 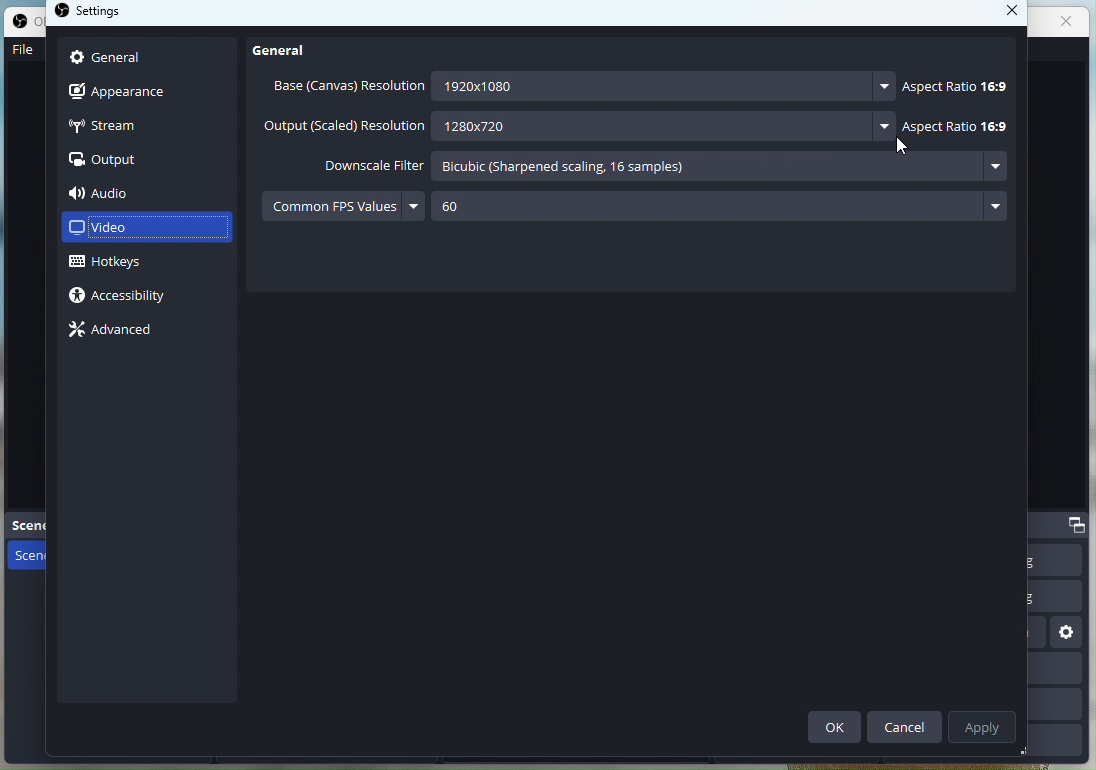 I want to click on OBS studio logo, so click(x=23, y=24).